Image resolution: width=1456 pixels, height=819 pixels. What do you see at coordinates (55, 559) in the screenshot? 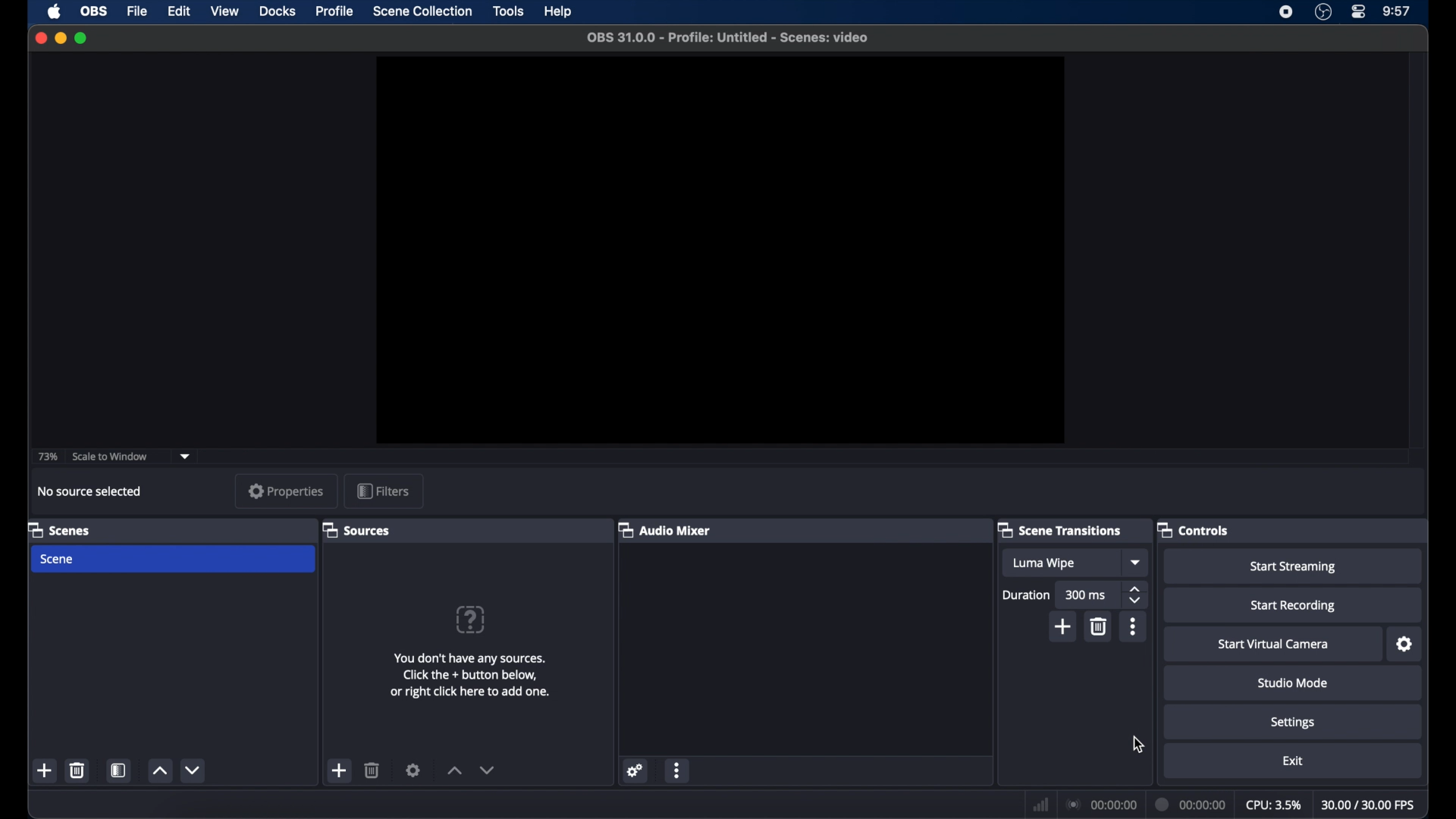
I see `scene` at bounding box center [55, 559].